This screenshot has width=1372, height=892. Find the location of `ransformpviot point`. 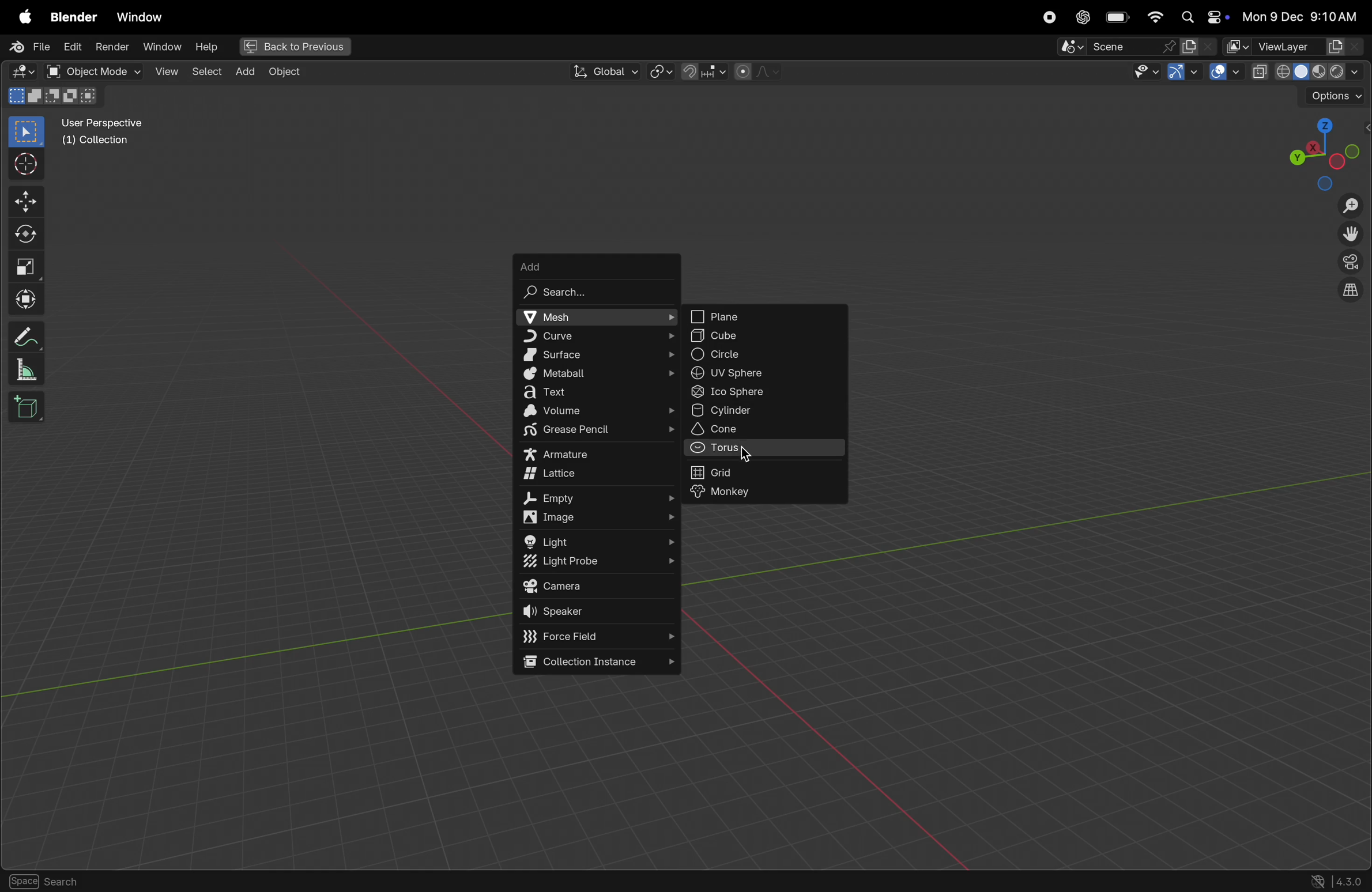

ransformpviot point is located at coordinates (661, 71).